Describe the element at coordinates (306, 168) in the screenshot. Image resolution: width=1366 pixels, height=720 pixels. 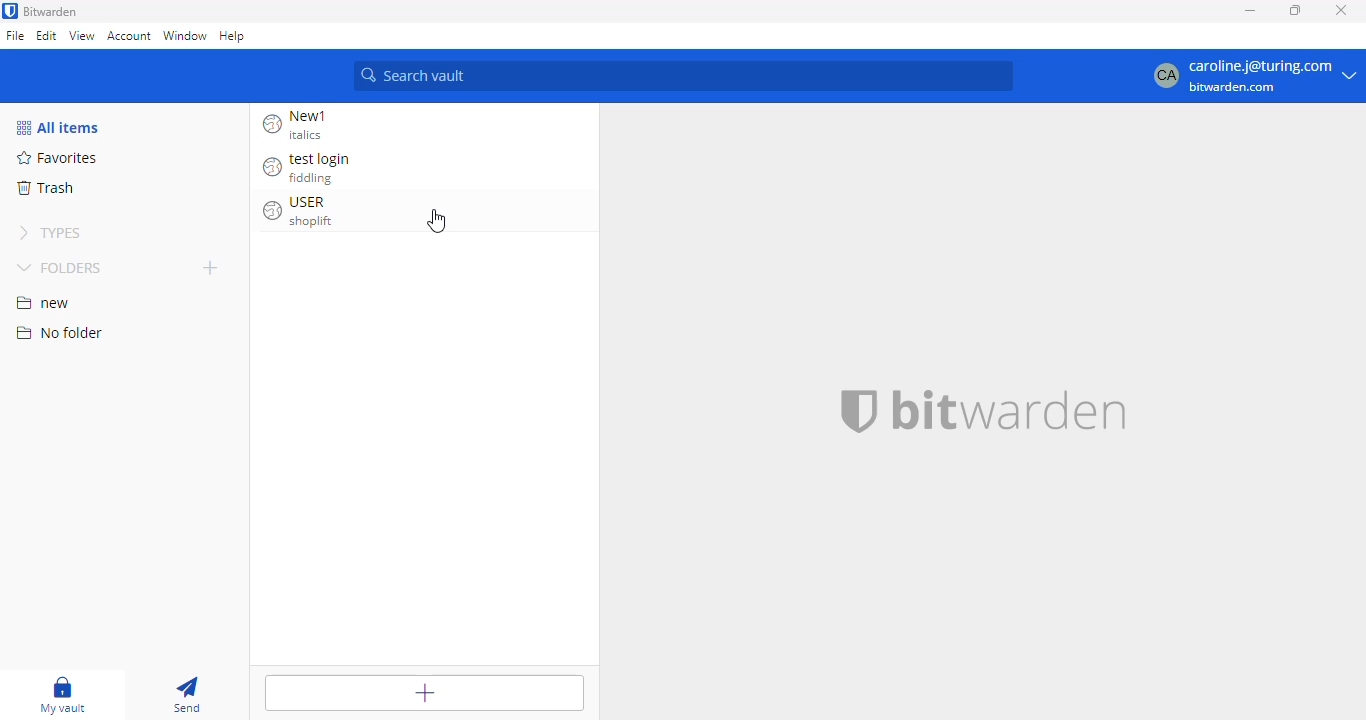
I see `test login   fiddling` at that location.